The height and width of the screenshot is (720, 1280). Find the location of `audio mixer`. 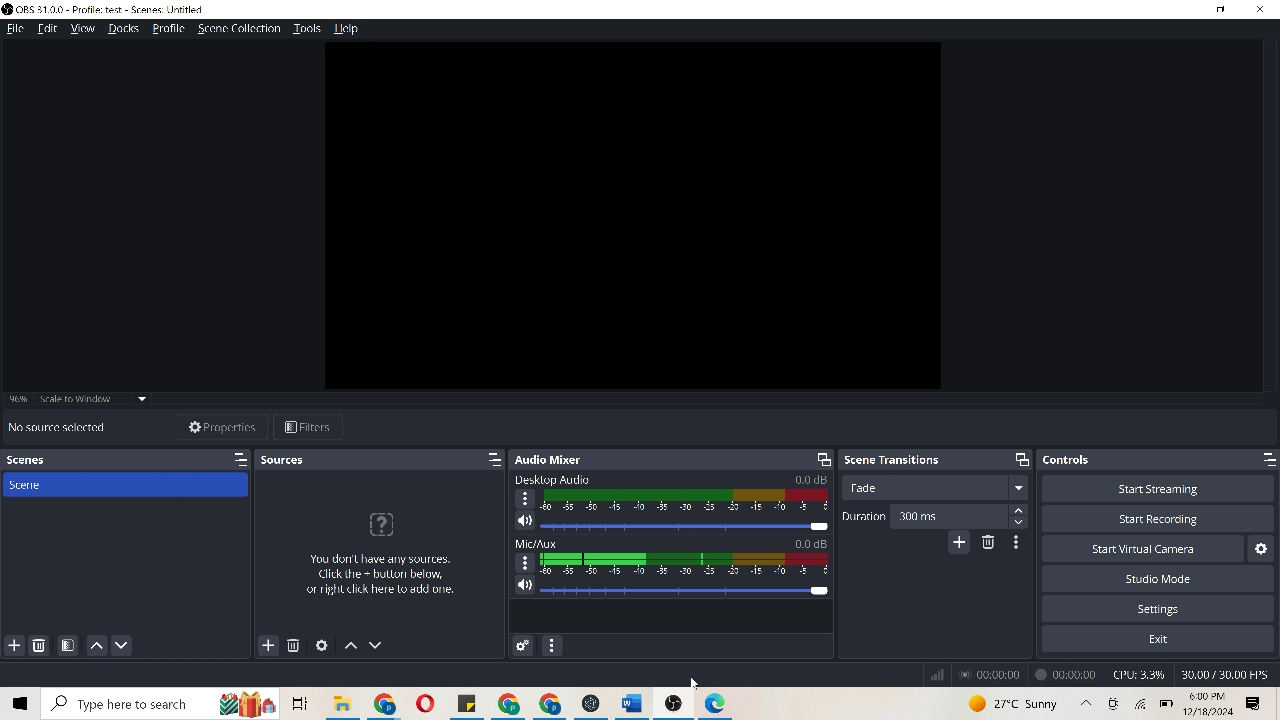

audio mixer is located at coordinates (558, 458).